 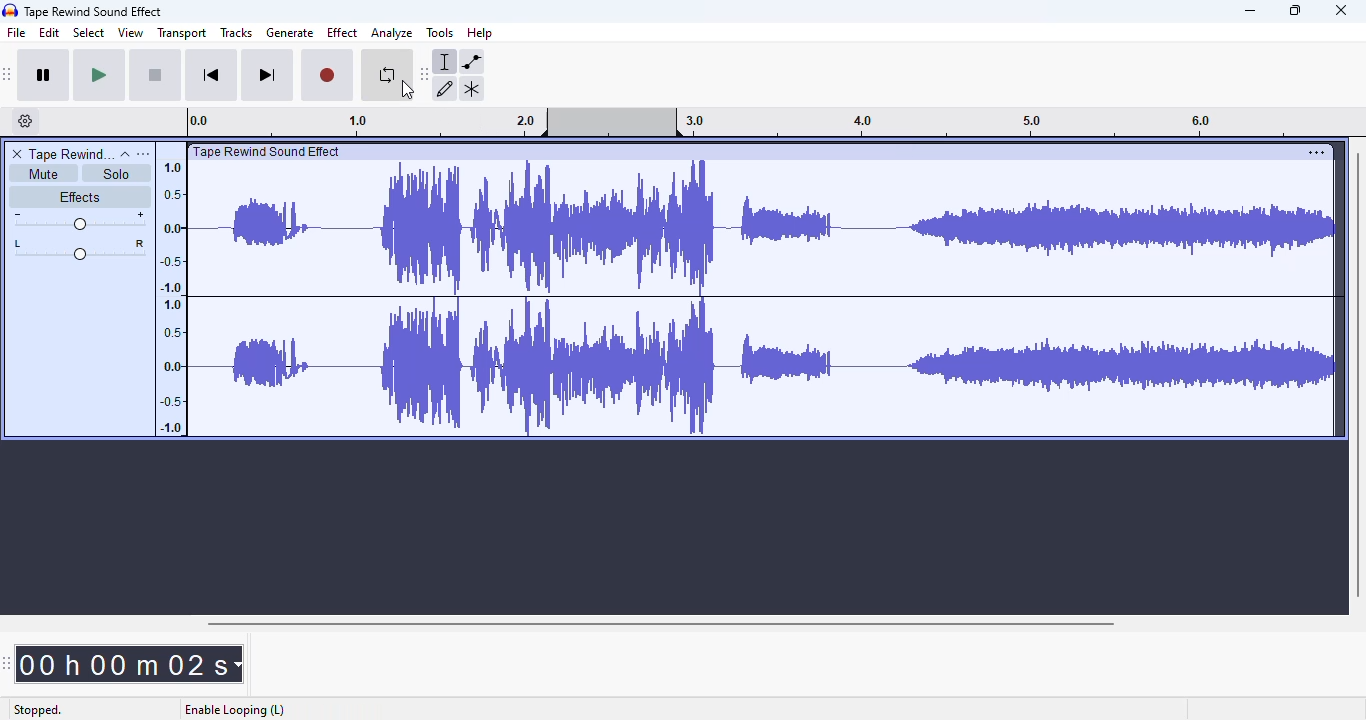 I want to click on collapse, so click(x=125, y=154).